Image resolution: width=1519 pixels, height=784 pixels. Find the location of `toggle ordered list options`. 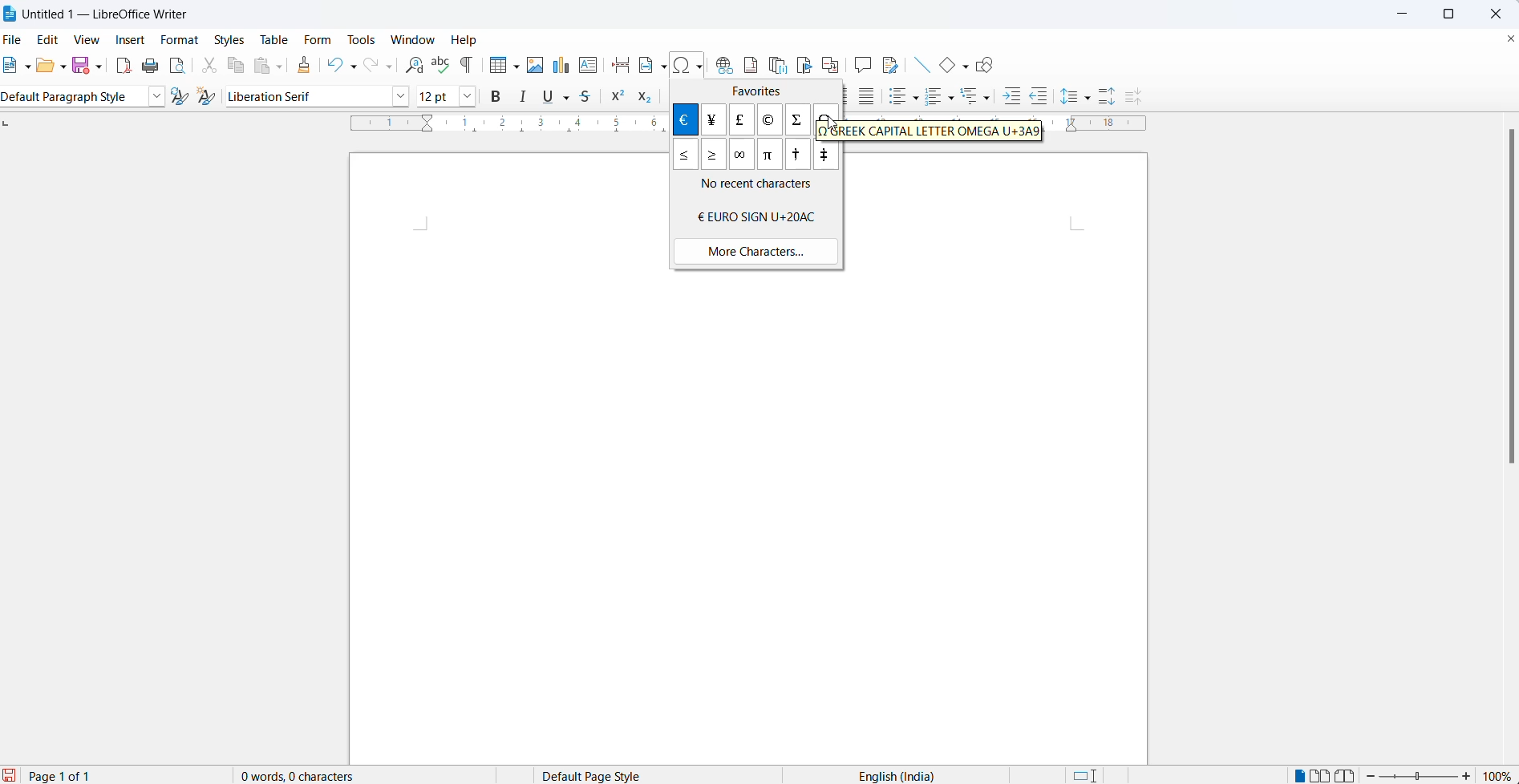

toggle ordered list options is located at coordinates (953, 98).